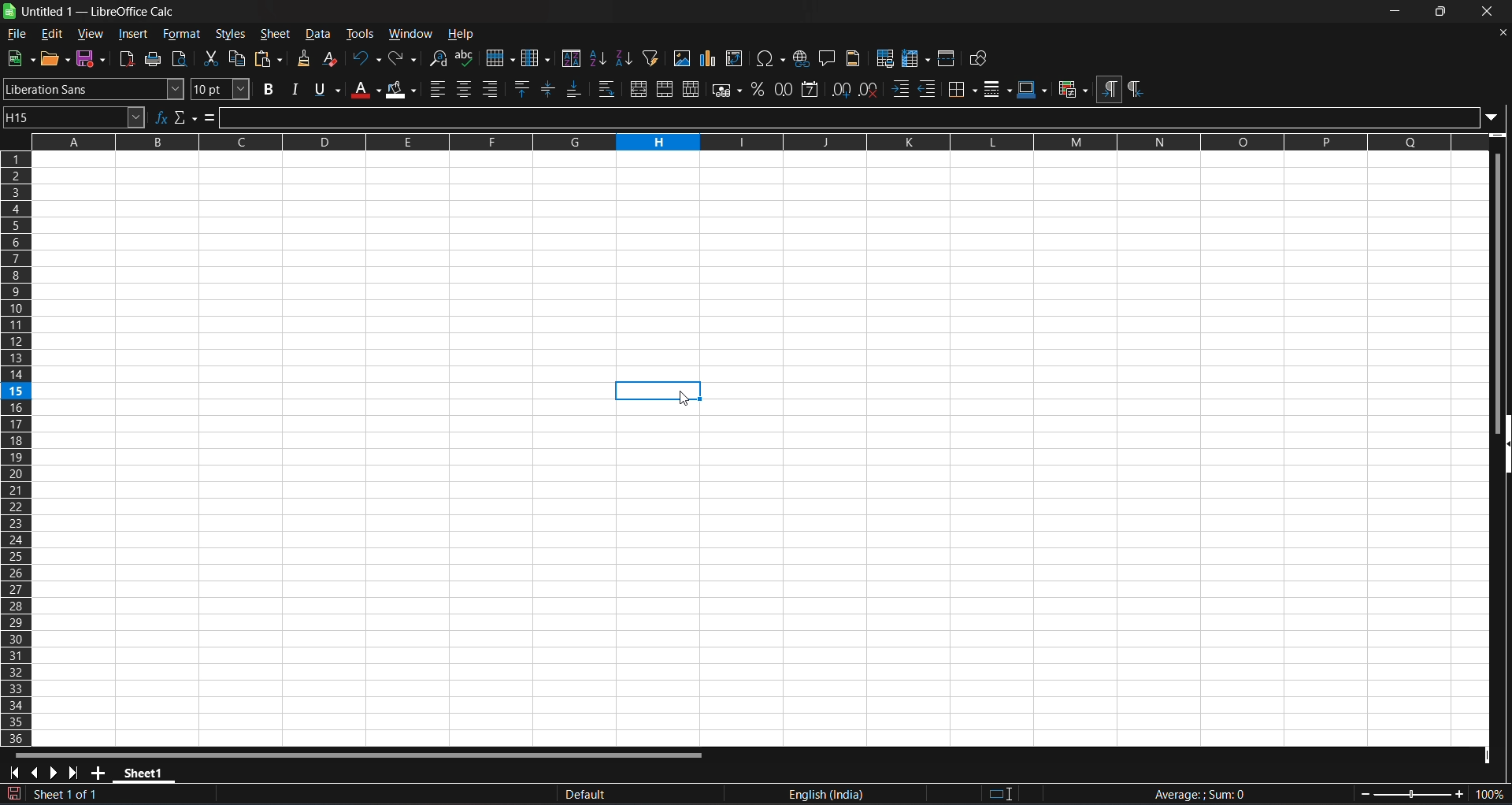  I want to click on scroll to next sheet, so click(57, 772).